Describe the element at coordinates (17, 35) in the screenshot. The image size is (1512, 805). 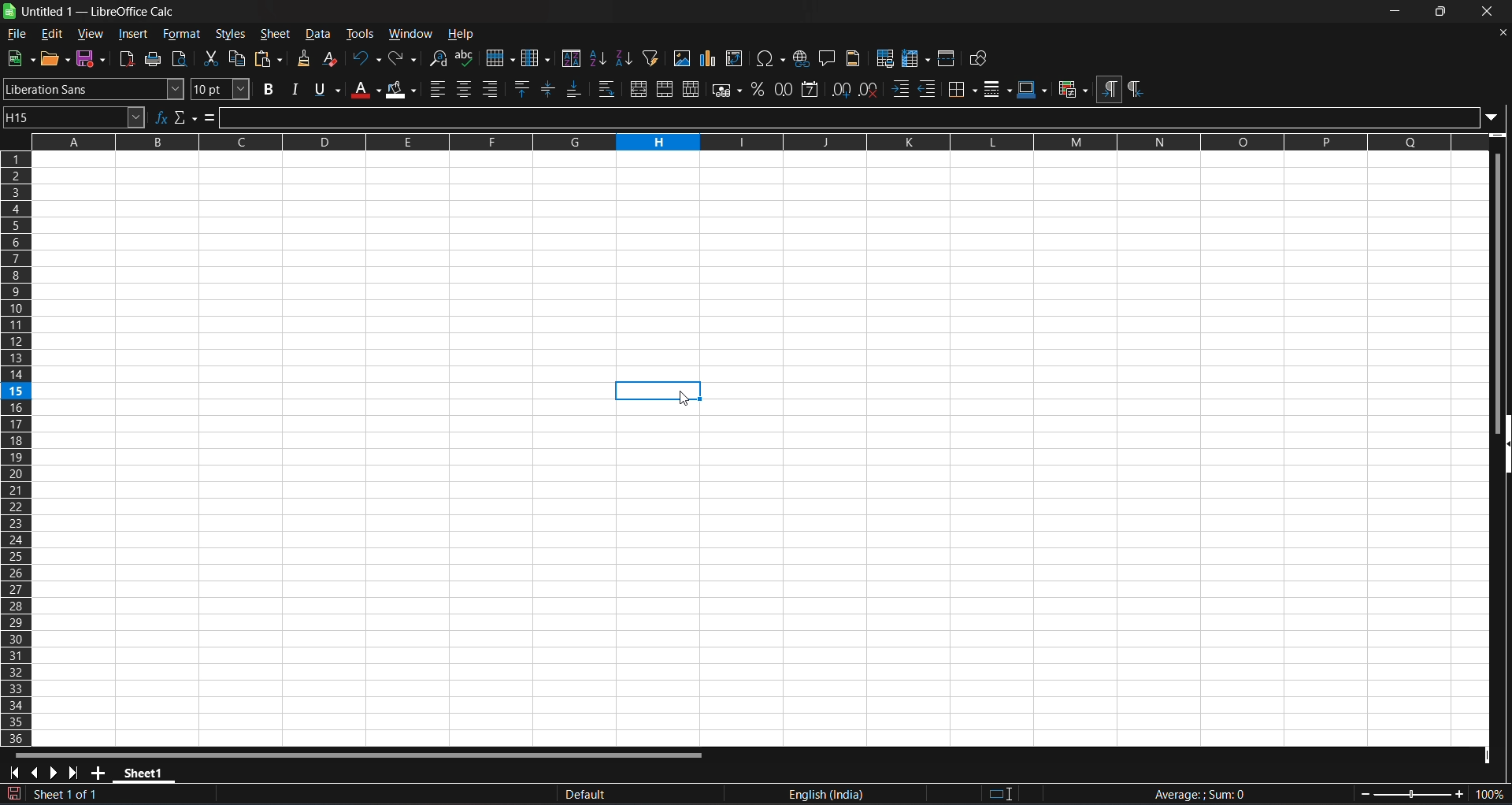
I see `file` at that location.